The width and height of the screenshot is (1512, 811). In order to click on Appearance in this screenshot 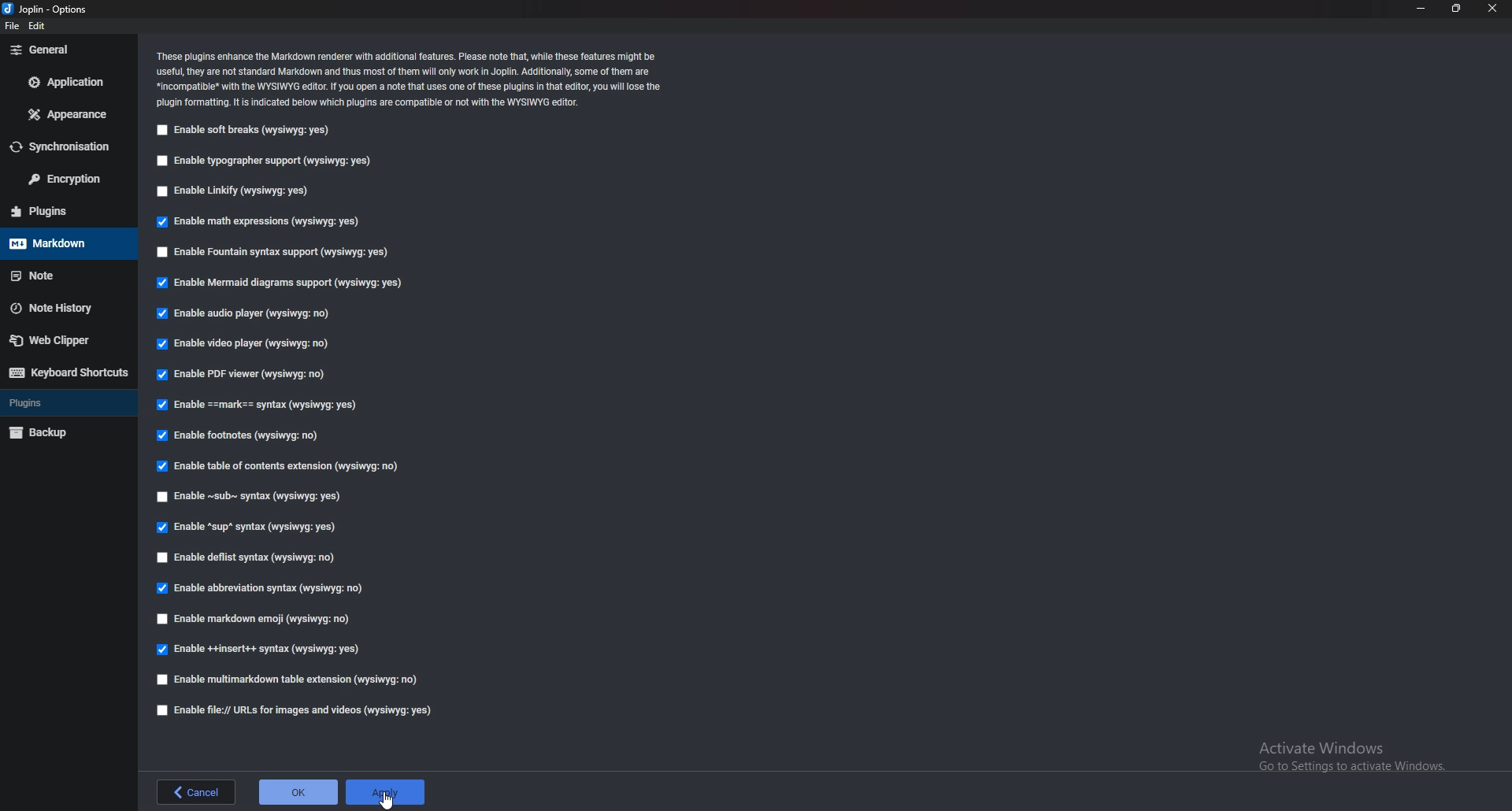, I will do `click(69, 114)`.